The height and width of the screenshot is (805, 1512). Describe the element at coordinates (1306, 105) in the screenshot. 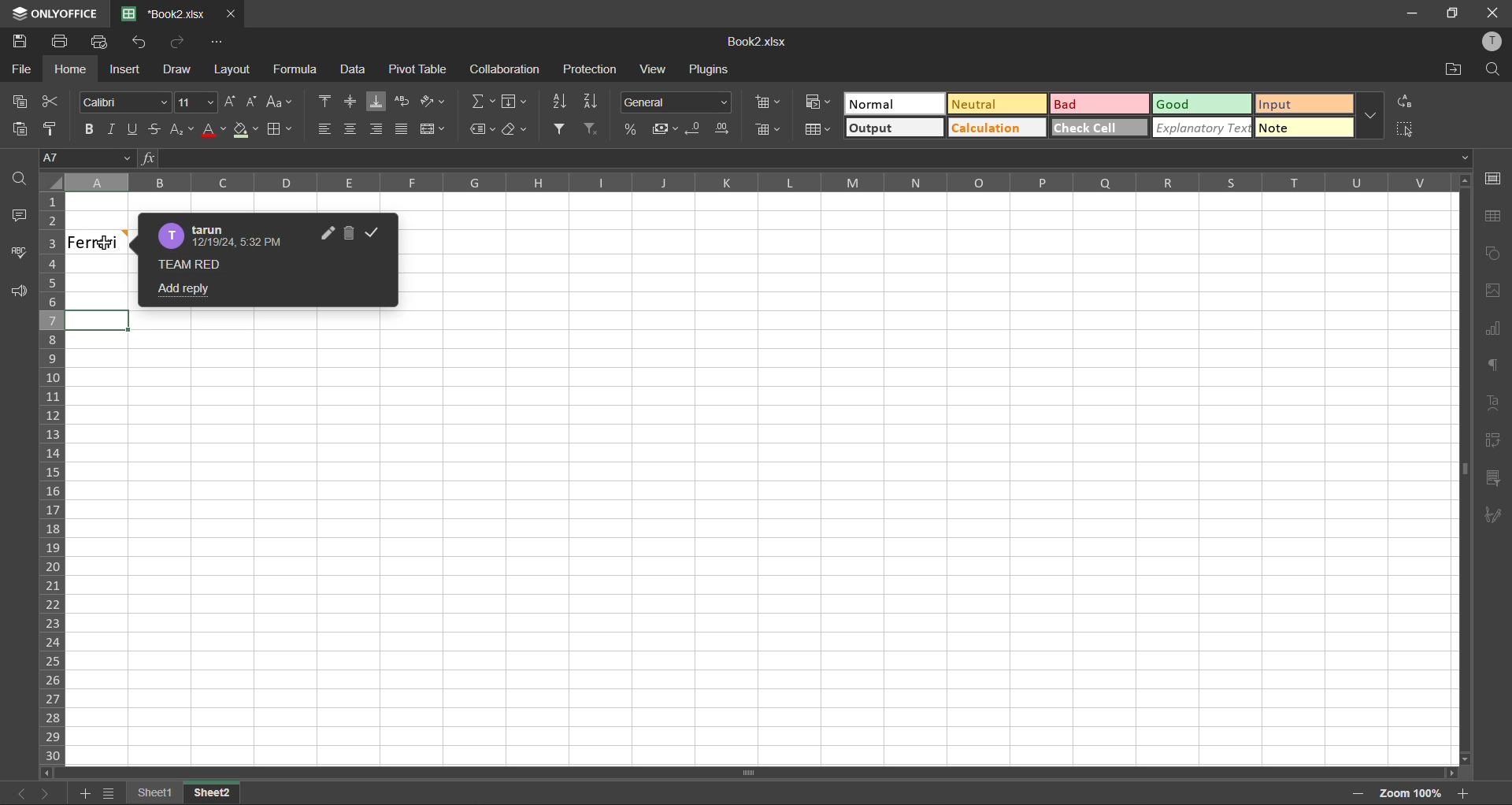

I see `input` at that location.